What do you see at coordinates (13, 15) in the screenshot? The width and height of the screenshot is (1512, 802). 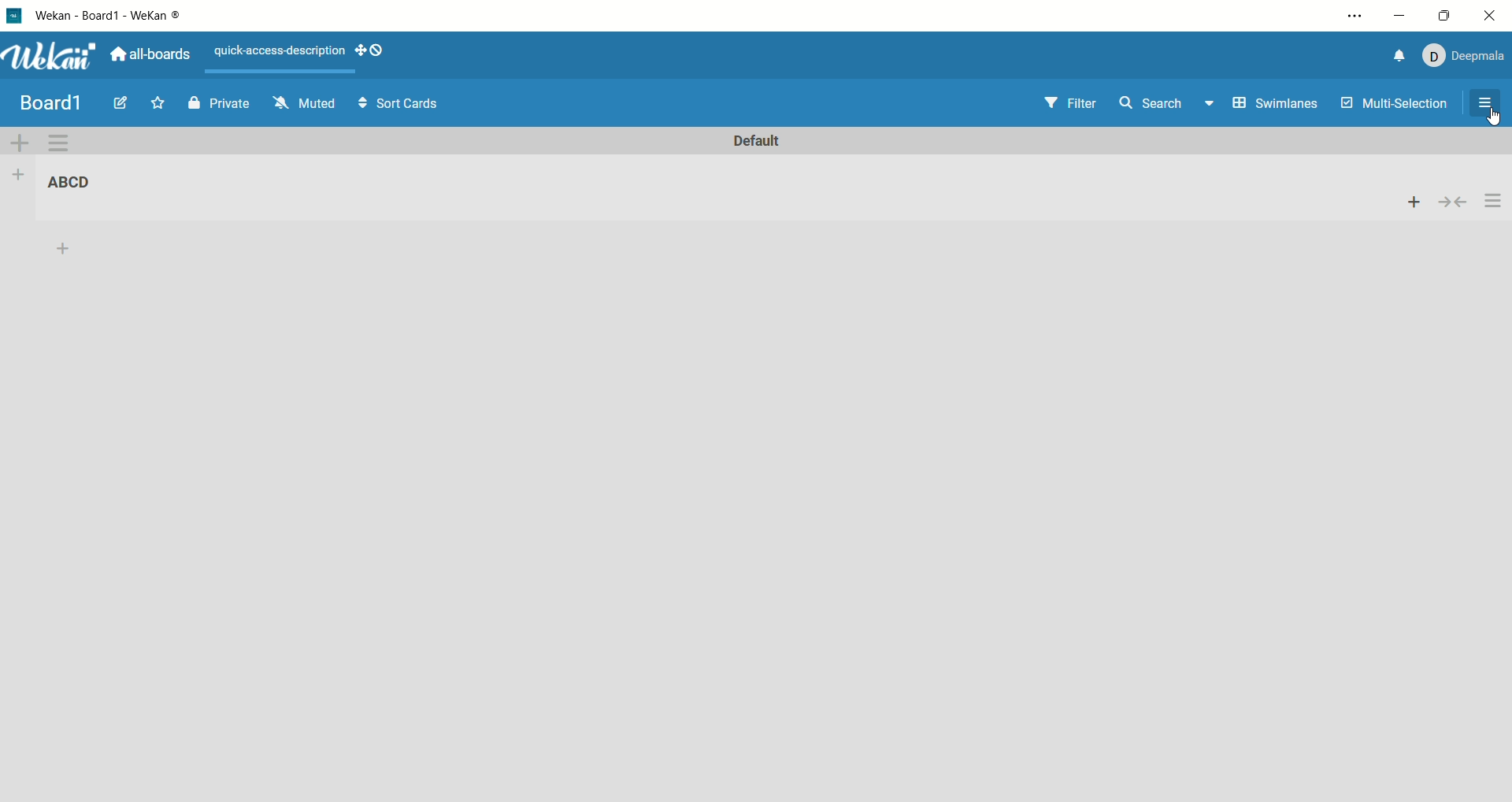 I see `logo` at bounding box center [13, 15].